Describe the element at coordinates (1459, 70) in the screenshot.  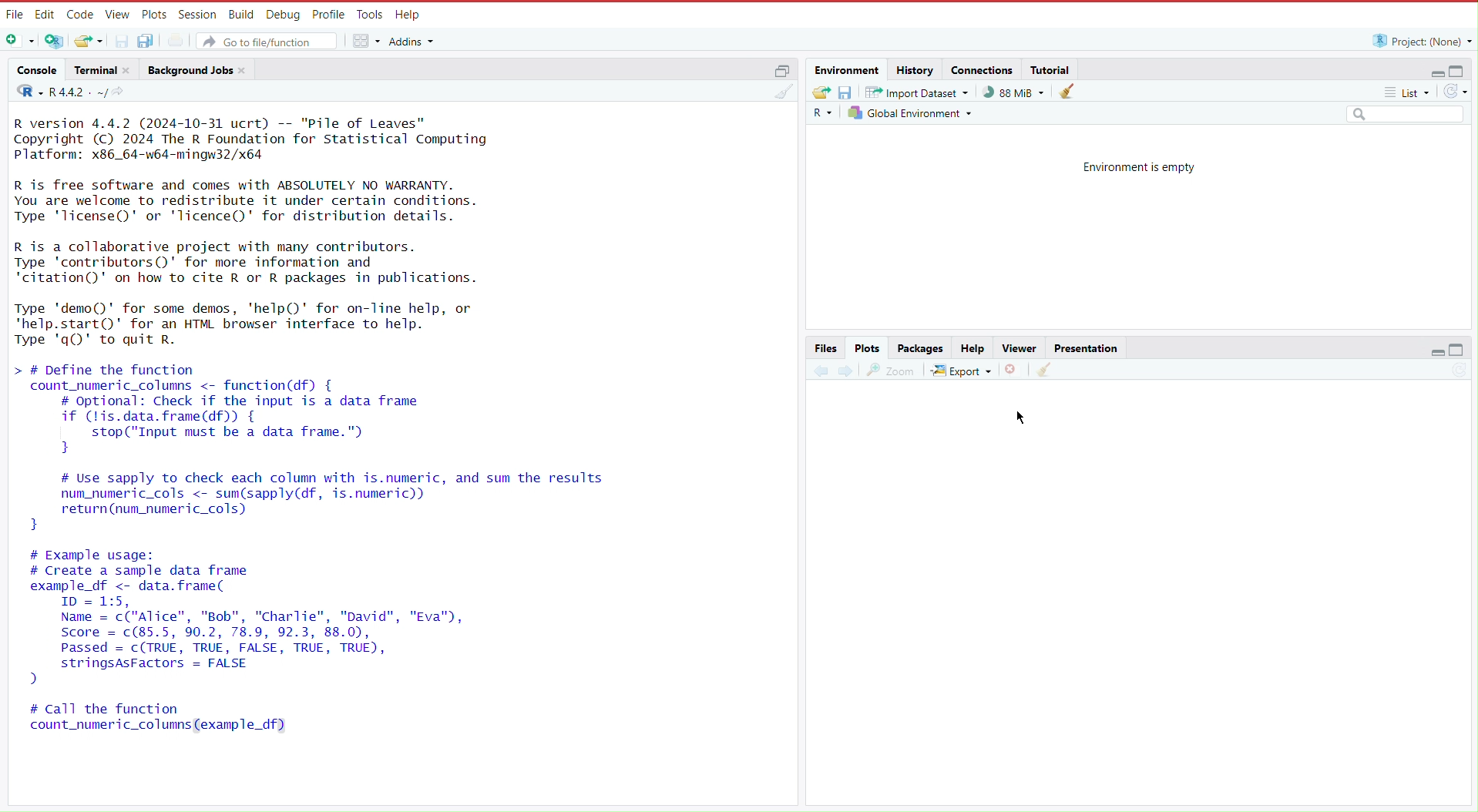
I see `Maximize` at that location.